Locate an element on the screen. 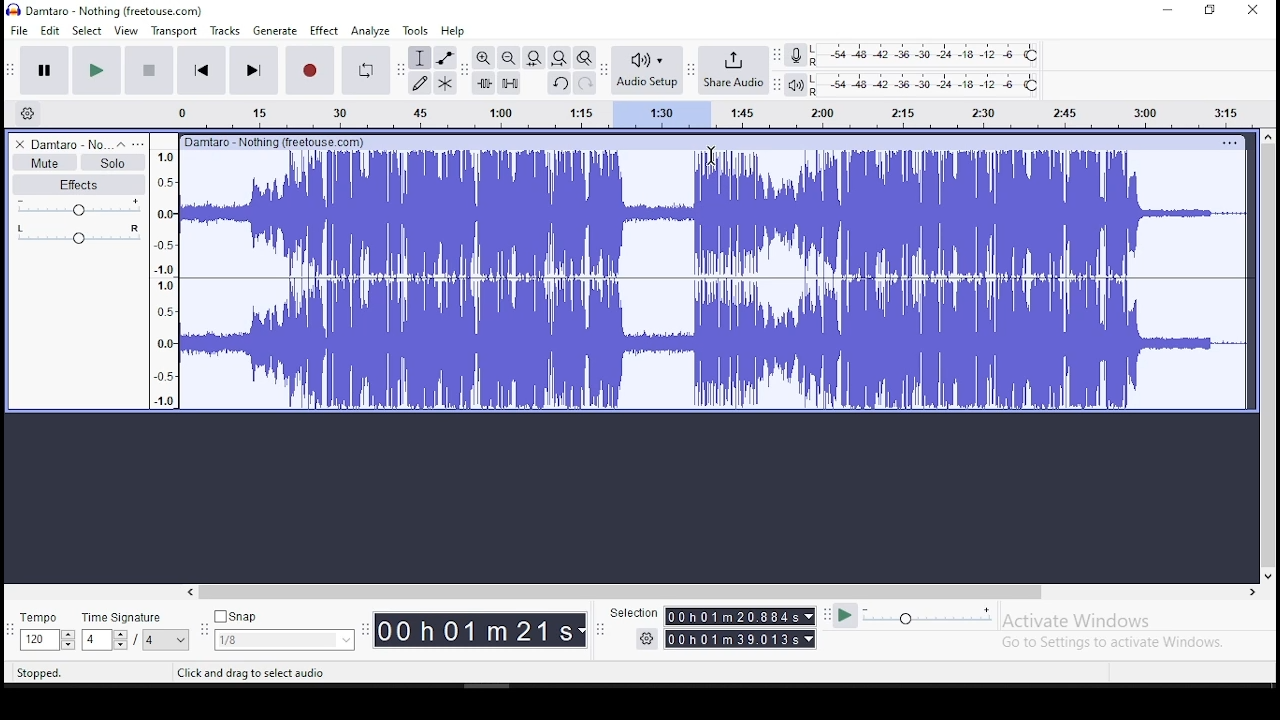  minimize is located at coordinates (1169, 11).